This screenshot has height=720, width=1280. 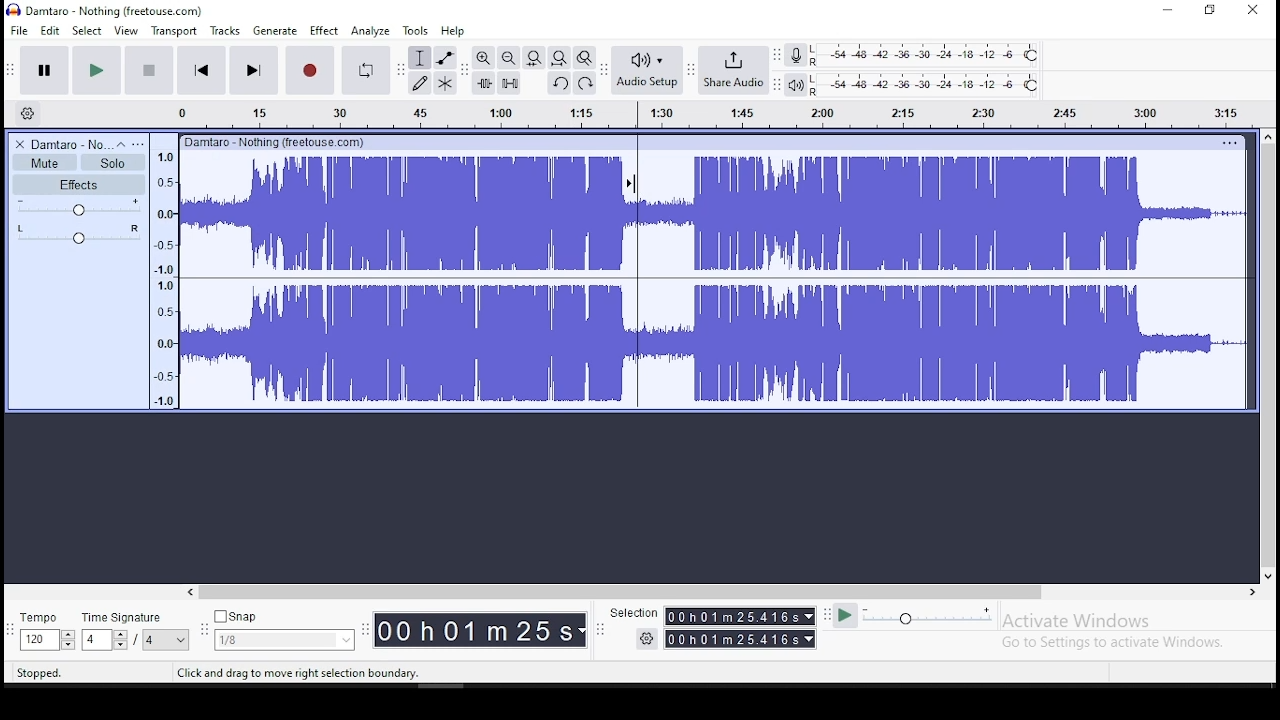 What do you see at coordinates (310, 70) in the screenshot?
I see `record` at bounding box center [310, 70].